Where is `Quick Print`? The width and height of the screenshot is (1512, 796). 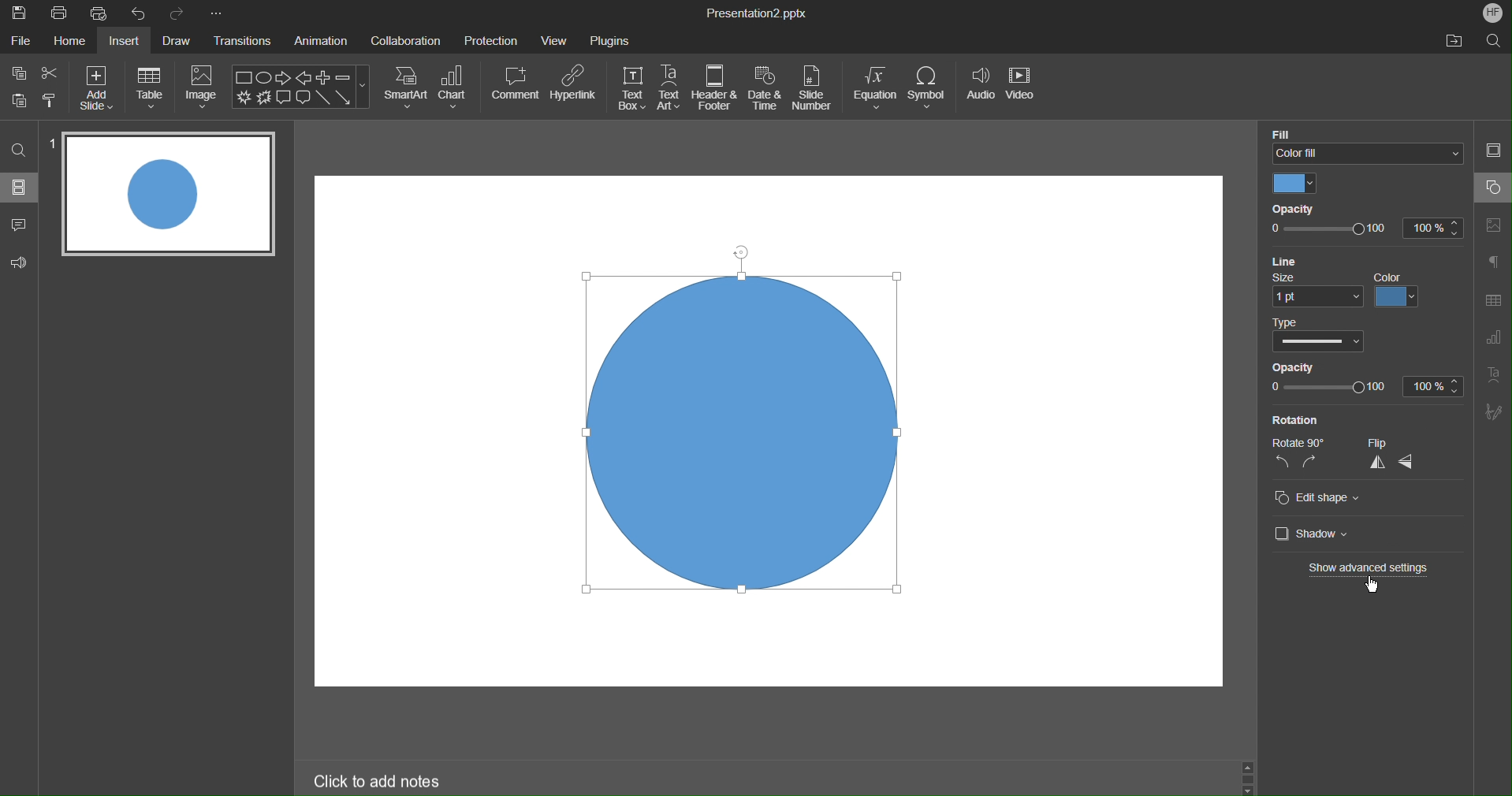
Quick Print is located at coordinates (103, 14).